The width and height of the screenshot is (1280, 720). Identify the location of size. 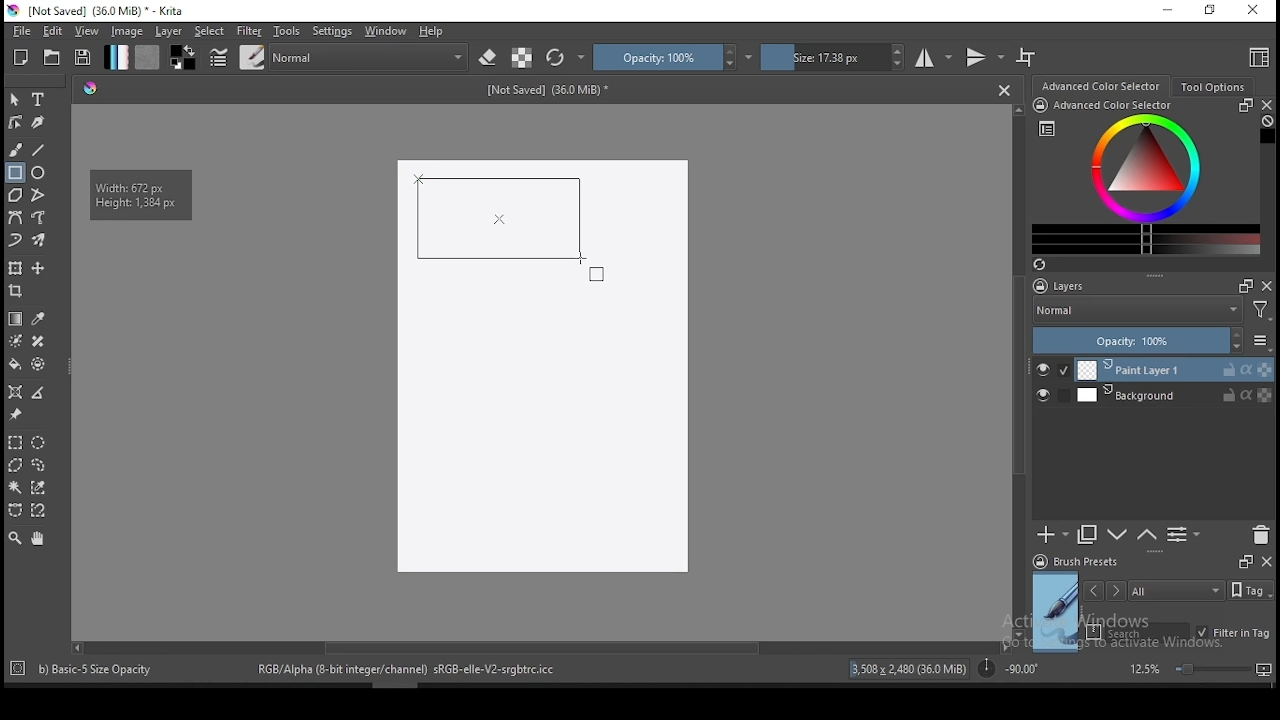
(833, 57).